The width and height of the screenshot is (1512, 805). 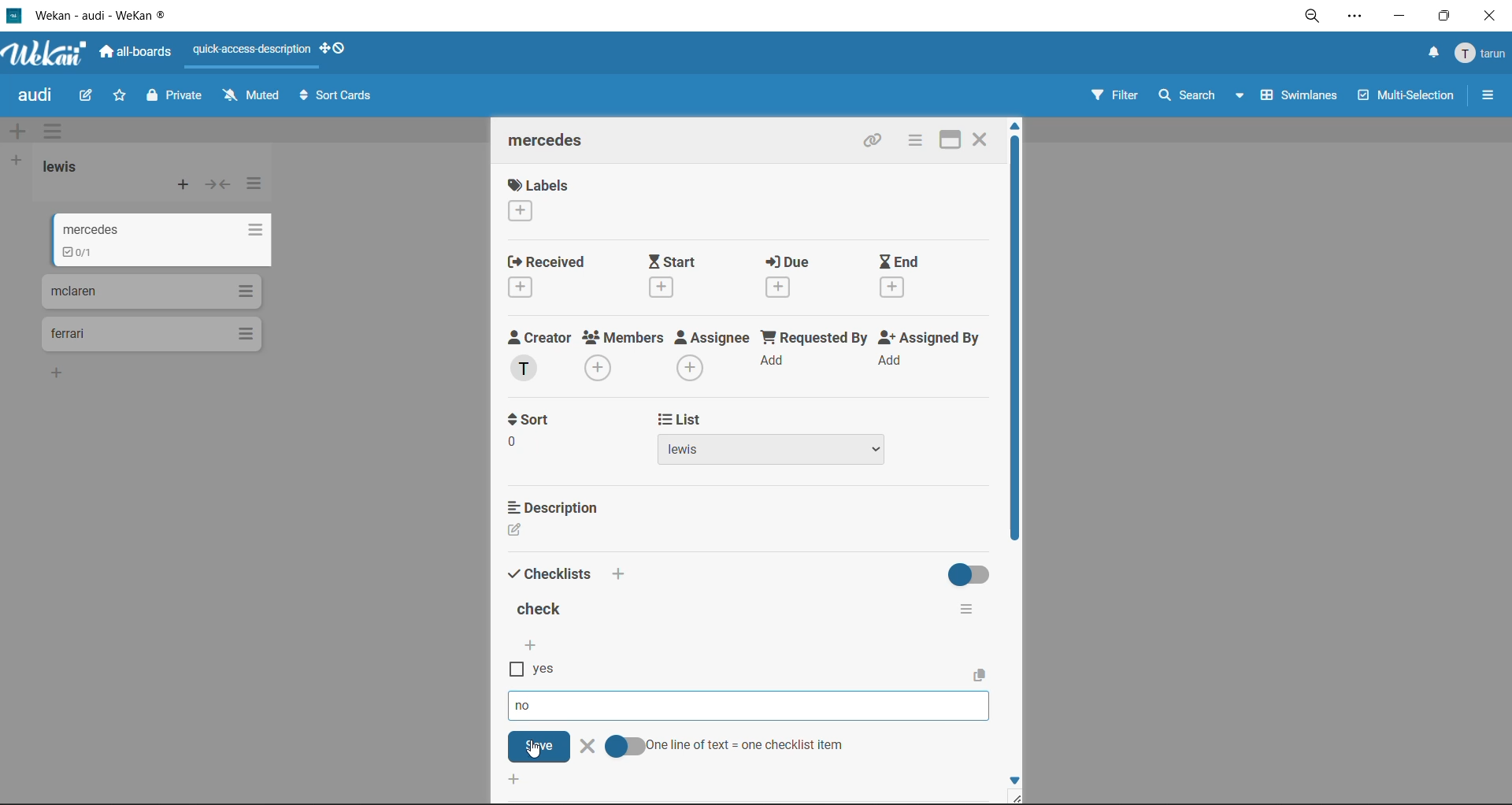 What do you see at coordinates (773, 452) in the screenshot?
I see `list` at bounding box center [773, 452].